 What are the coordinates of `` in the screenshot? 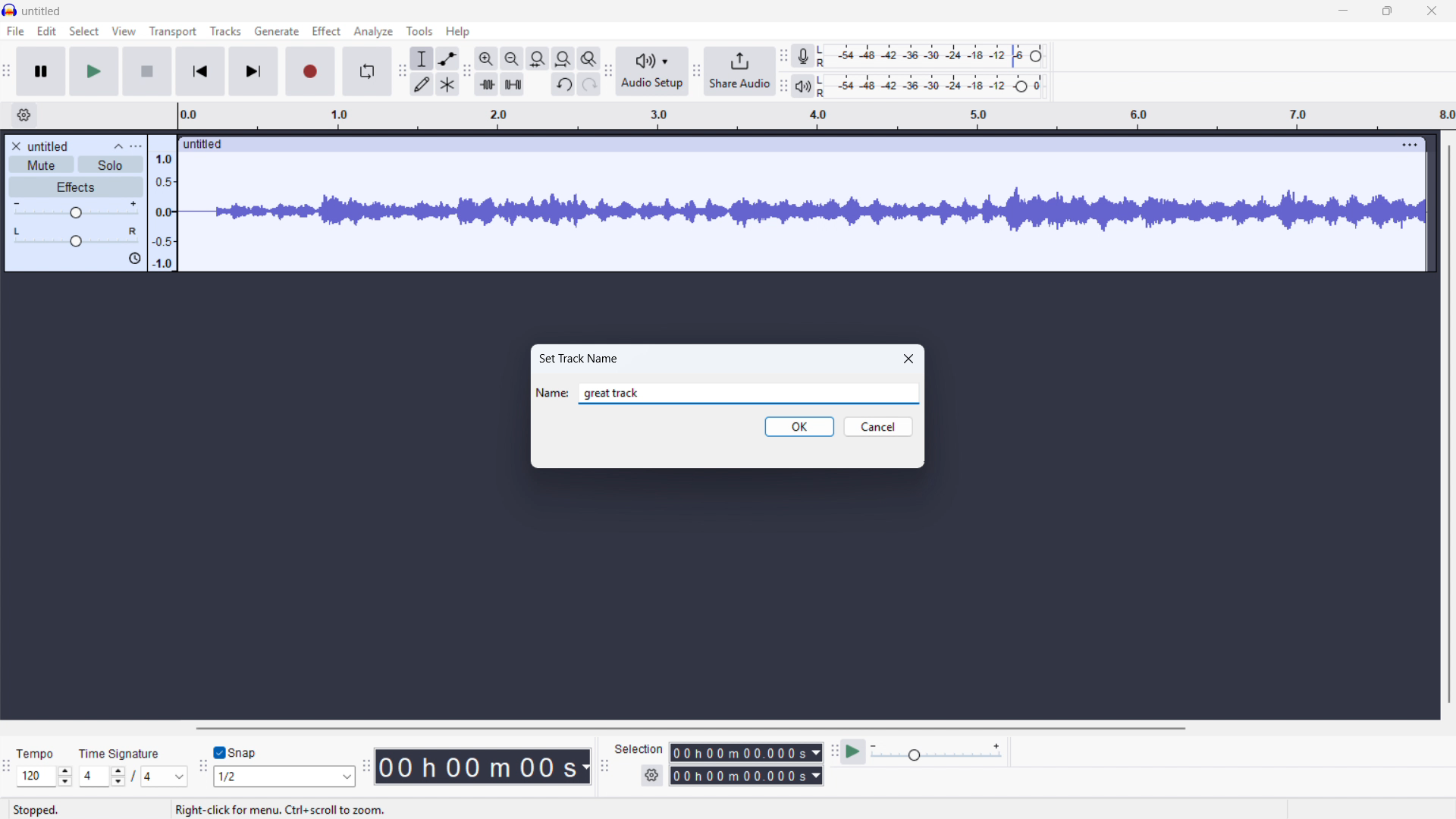 It's located at (563, 59).